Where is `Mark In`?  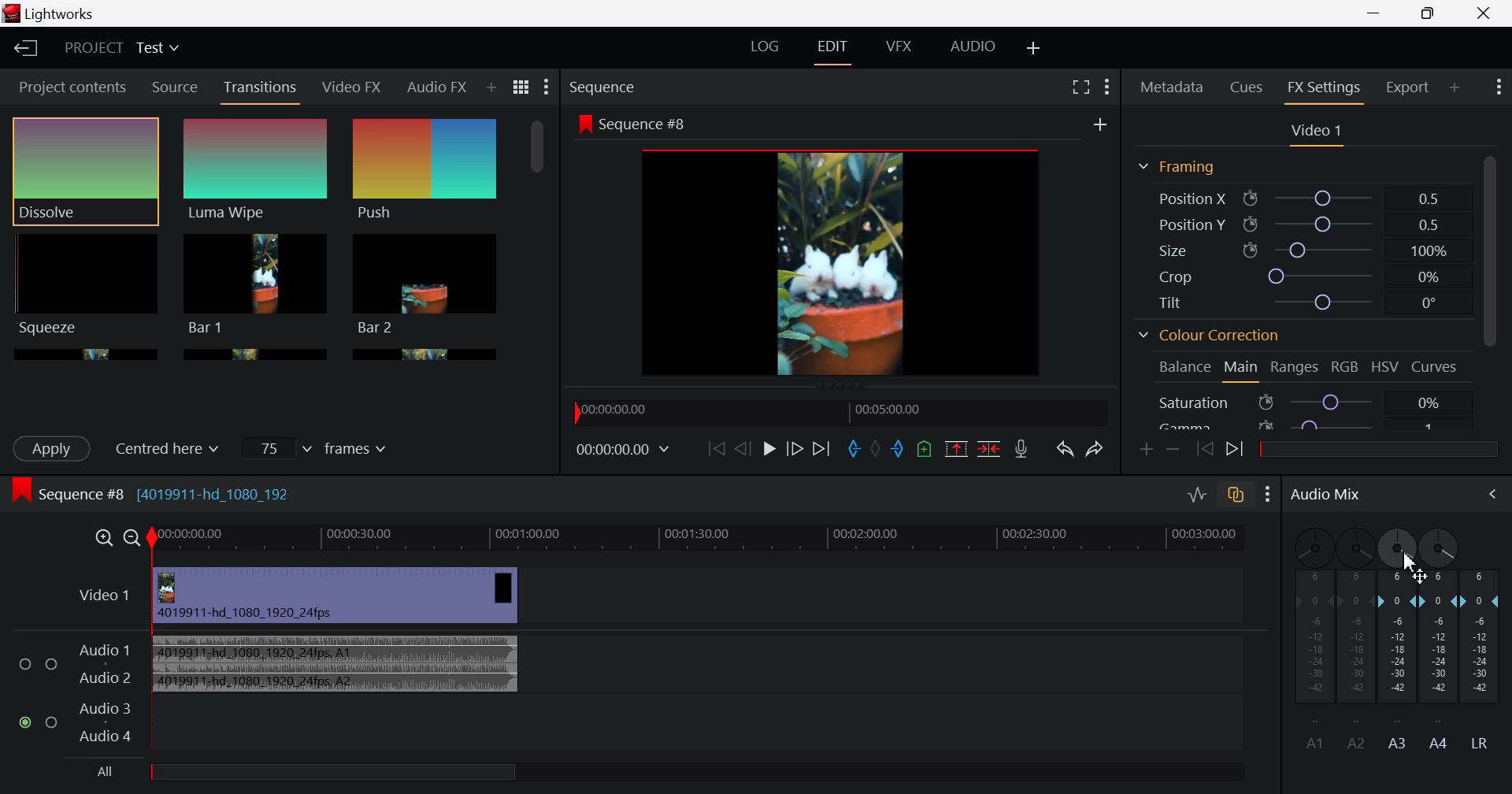
Mark In is located at coordinates (854, 450).